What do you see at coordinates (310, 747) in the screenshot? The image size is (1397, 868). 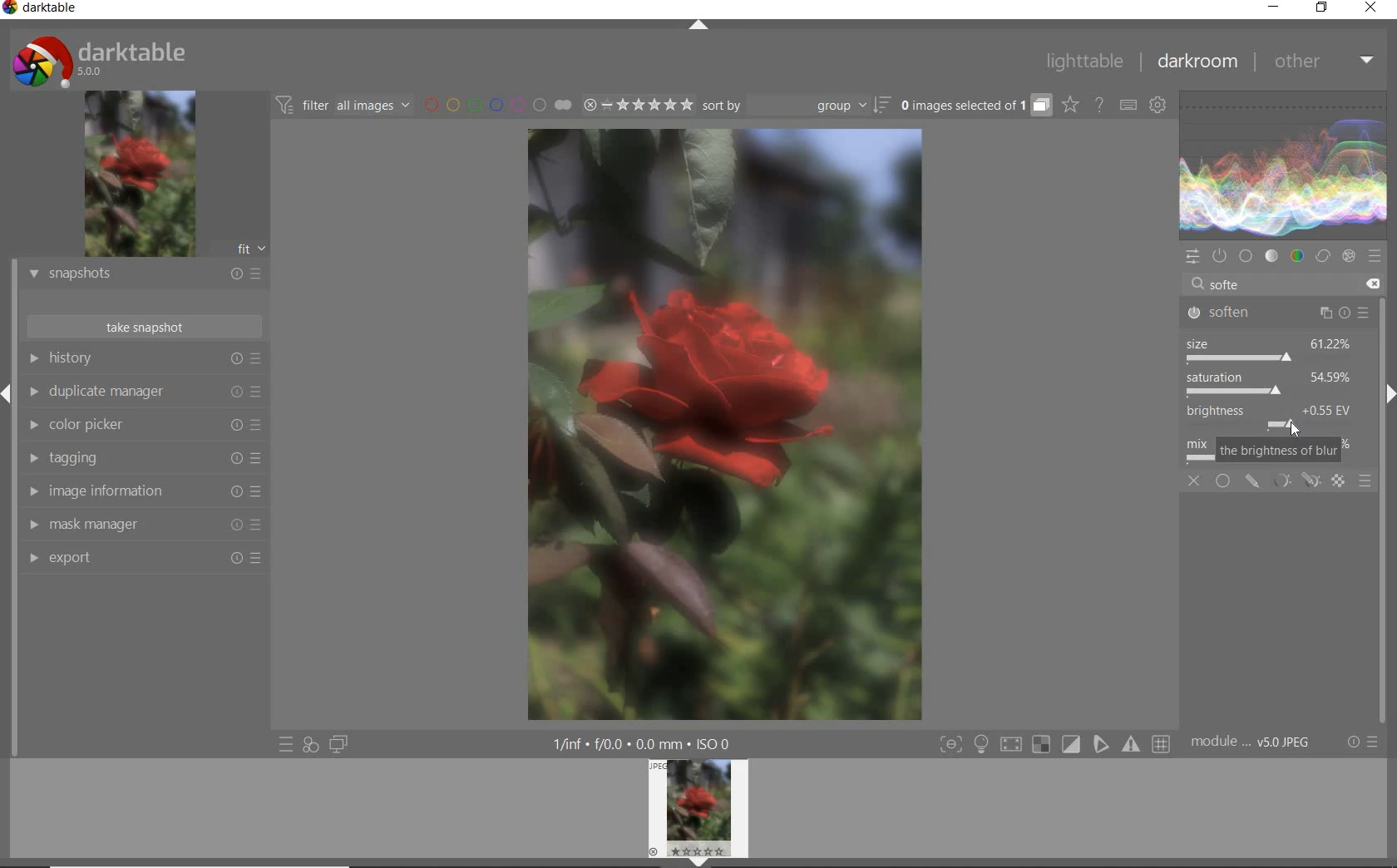 I see `quick access for applying any of your styles` at bounding box center [310, 747].